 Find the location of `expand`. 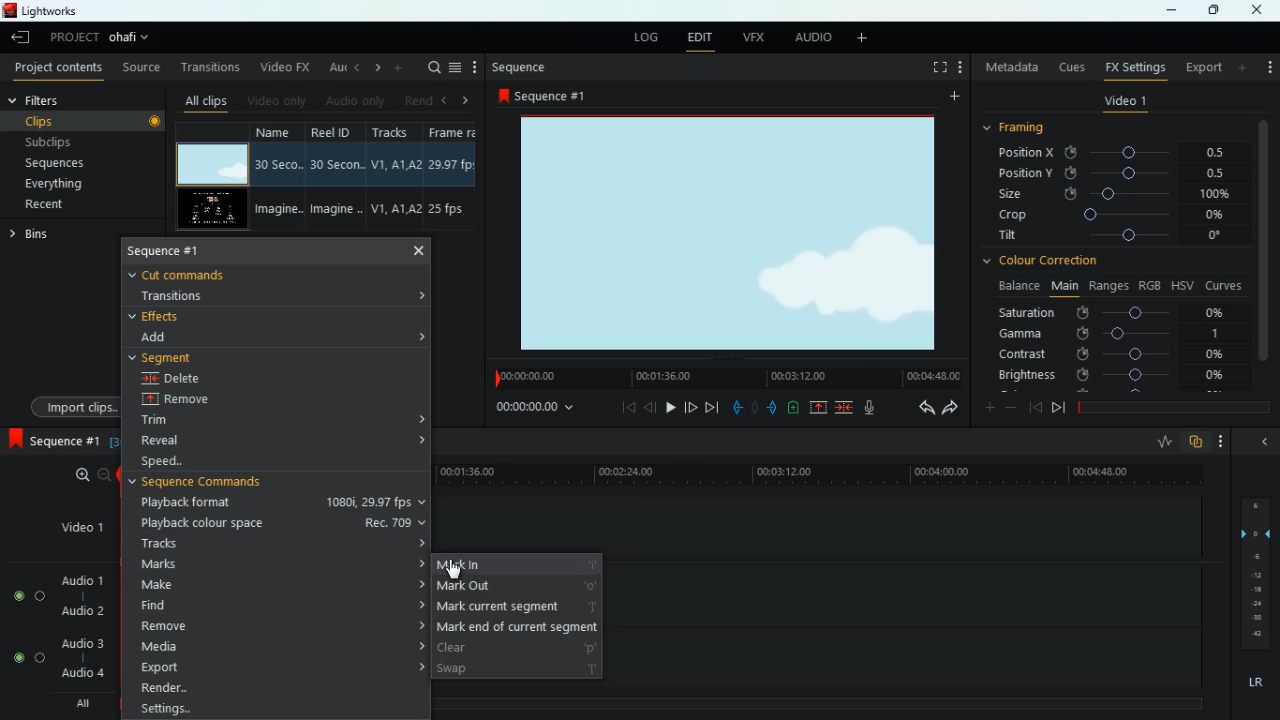

expand is located at coordinates (416, 296).